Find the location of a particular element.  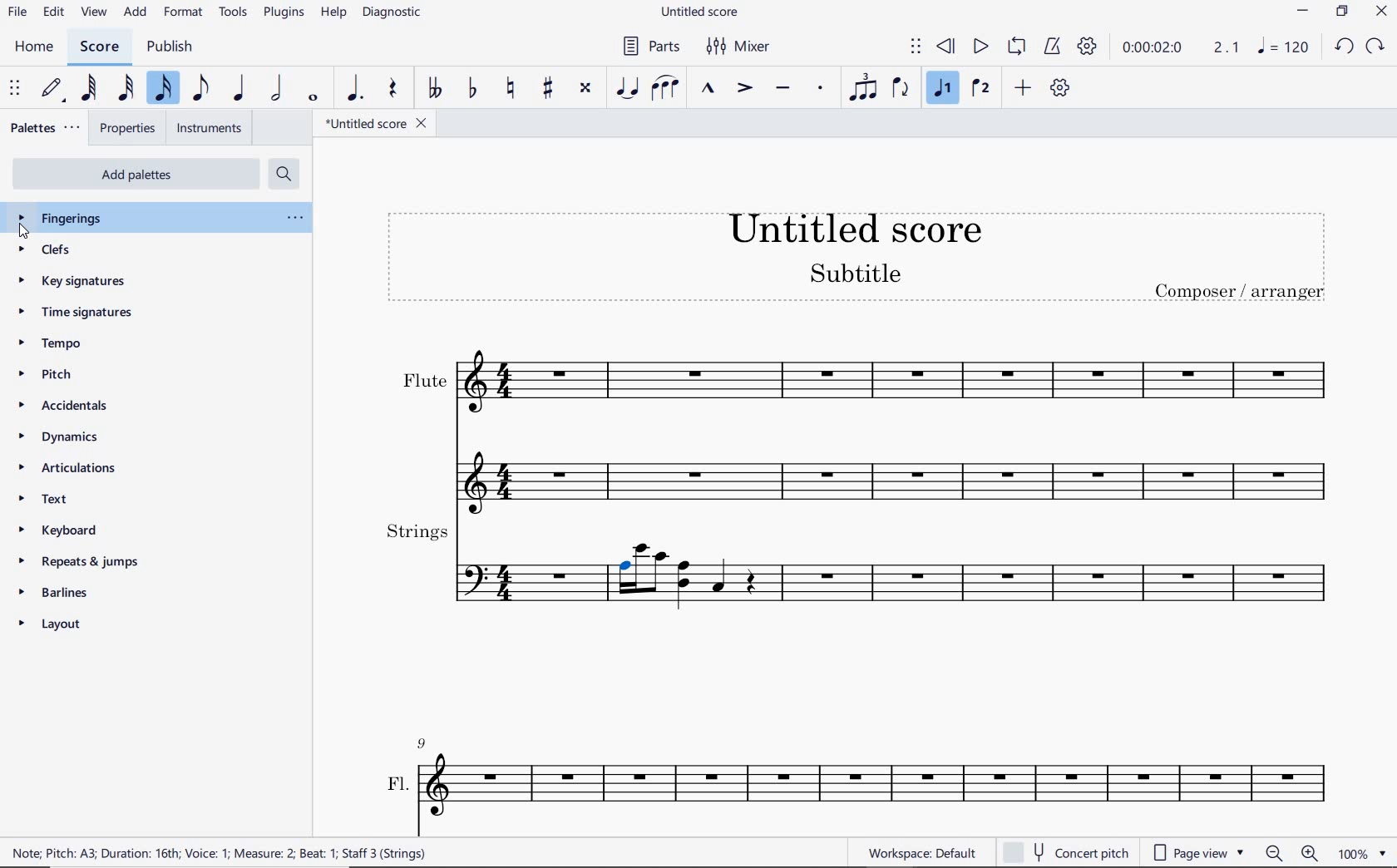

ellipsis is located at coordinates (293, 220).